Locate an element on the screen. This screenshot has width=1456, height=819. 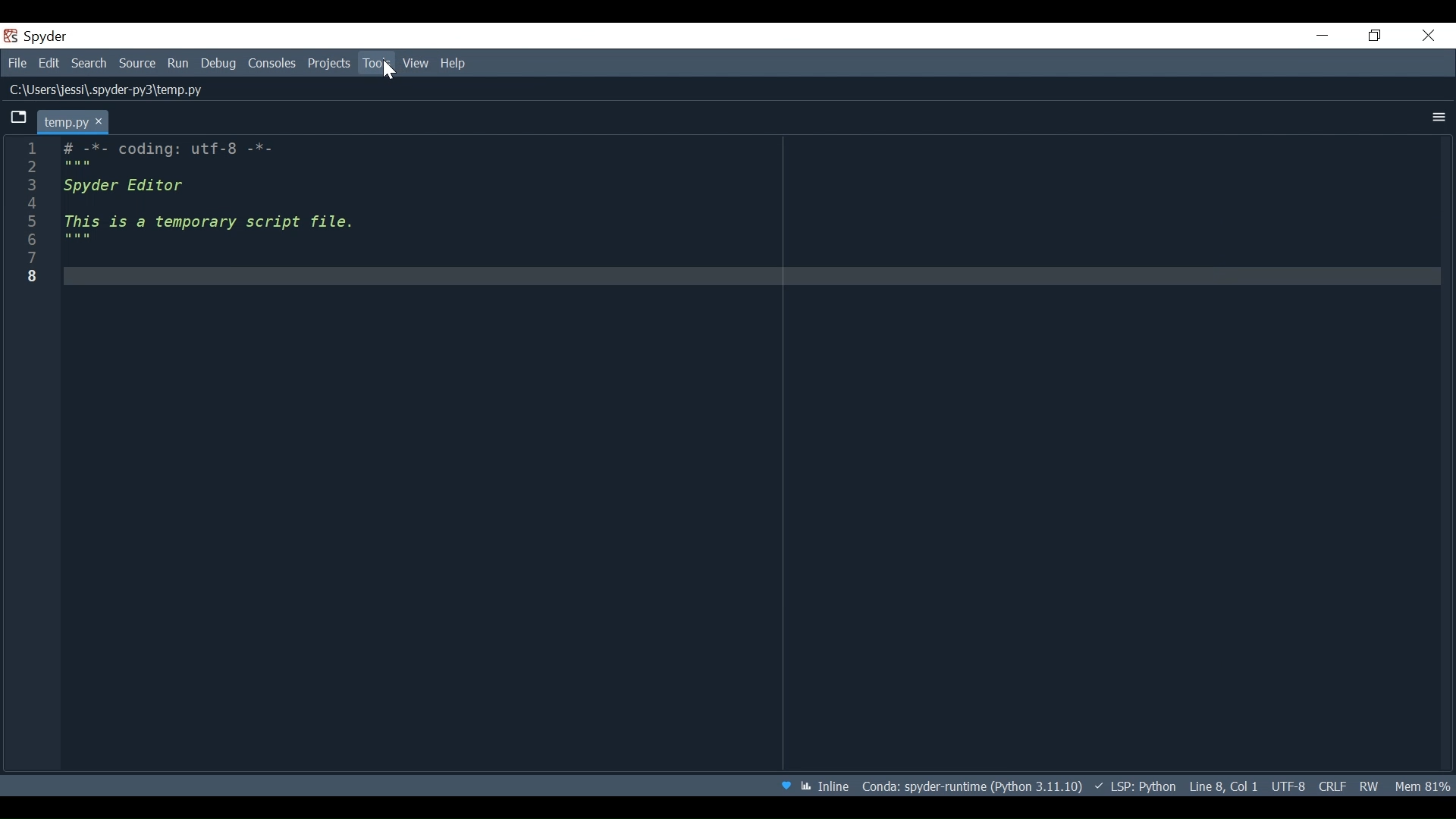
Search is located at coordinates (89, 65).